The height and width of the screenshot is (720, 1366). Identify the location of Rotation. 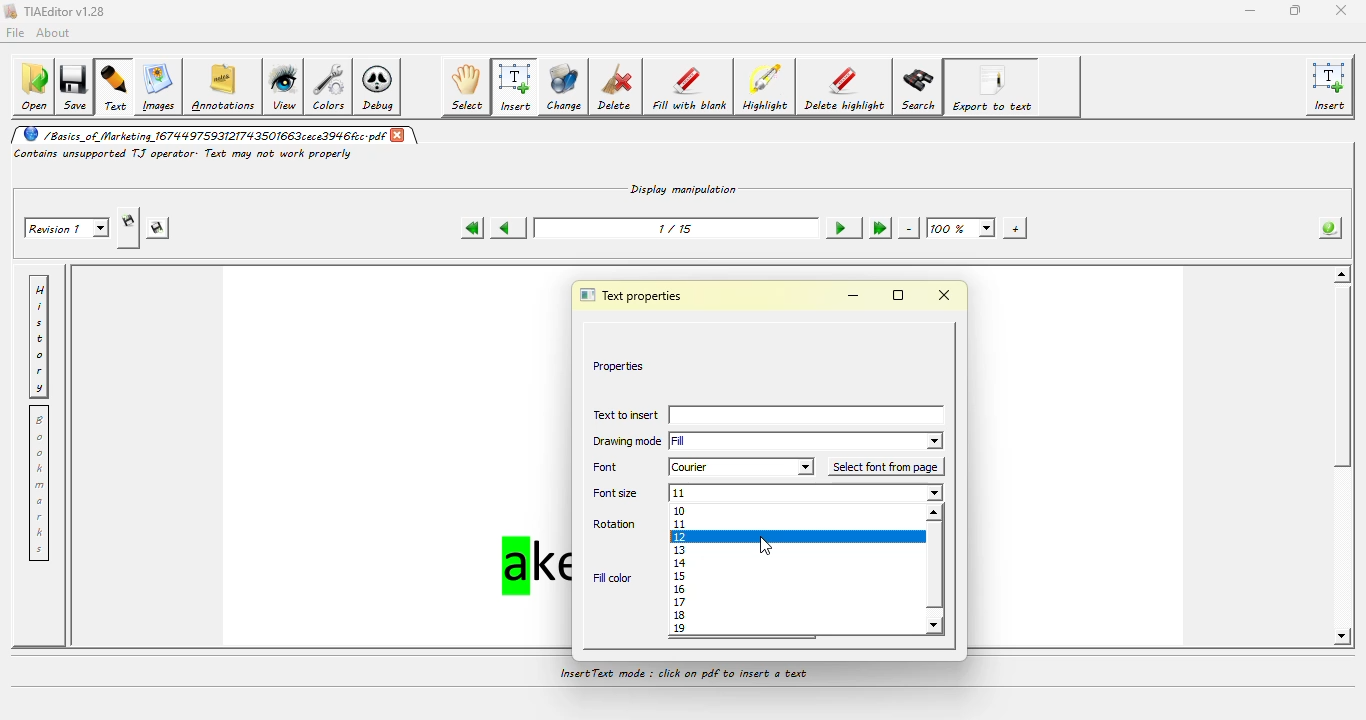
(618, 525).